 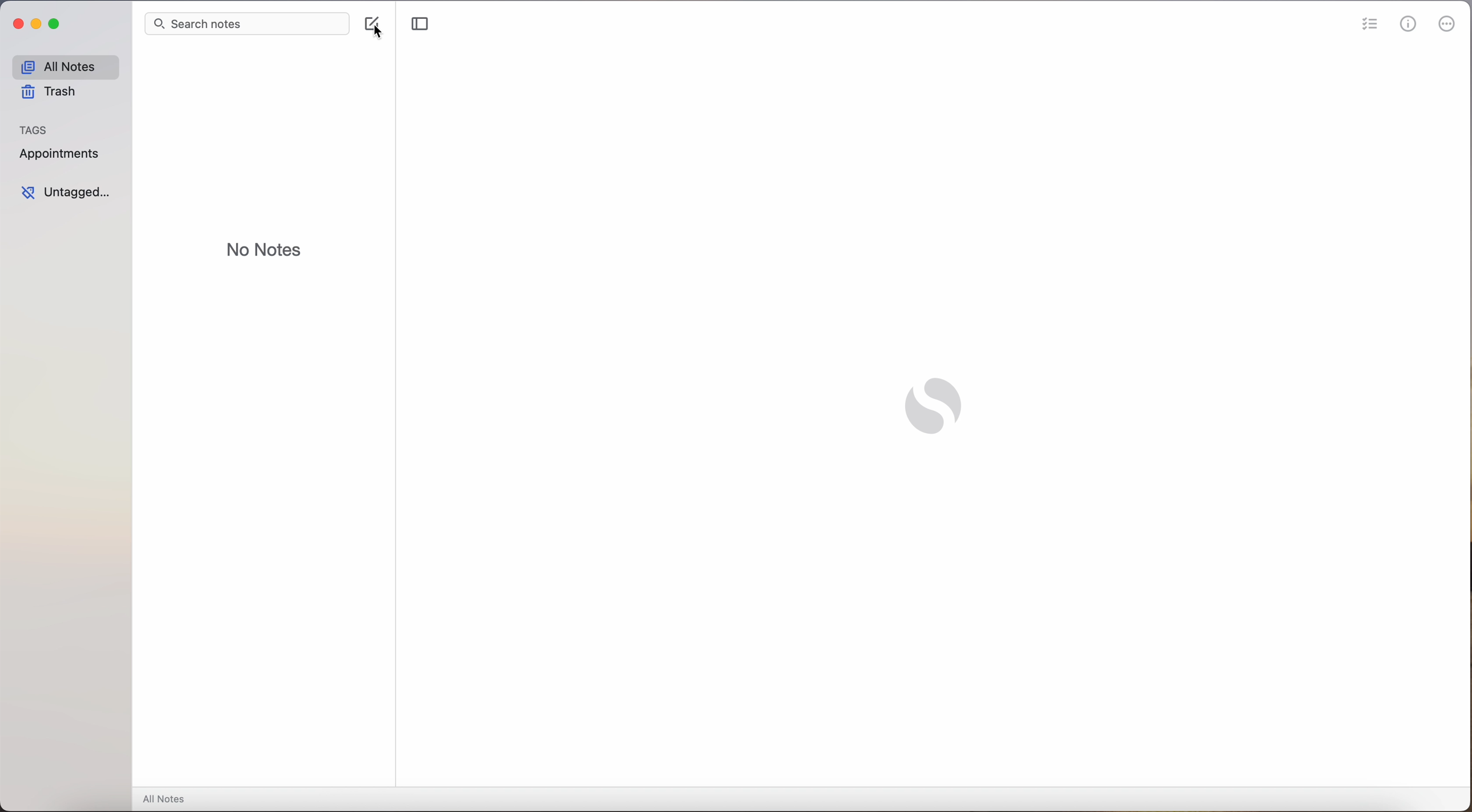 I want to click on cursor, so click(x=378, y=29).